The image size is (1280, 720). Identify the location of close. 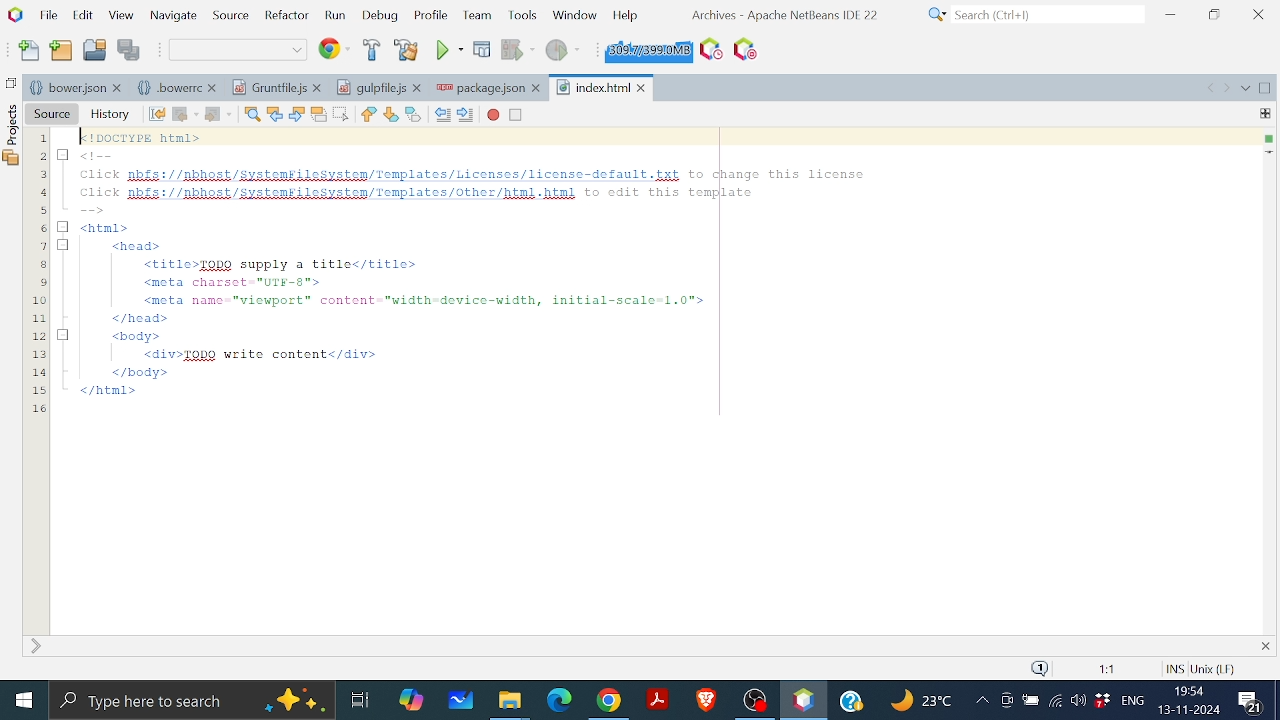
(213, 88).